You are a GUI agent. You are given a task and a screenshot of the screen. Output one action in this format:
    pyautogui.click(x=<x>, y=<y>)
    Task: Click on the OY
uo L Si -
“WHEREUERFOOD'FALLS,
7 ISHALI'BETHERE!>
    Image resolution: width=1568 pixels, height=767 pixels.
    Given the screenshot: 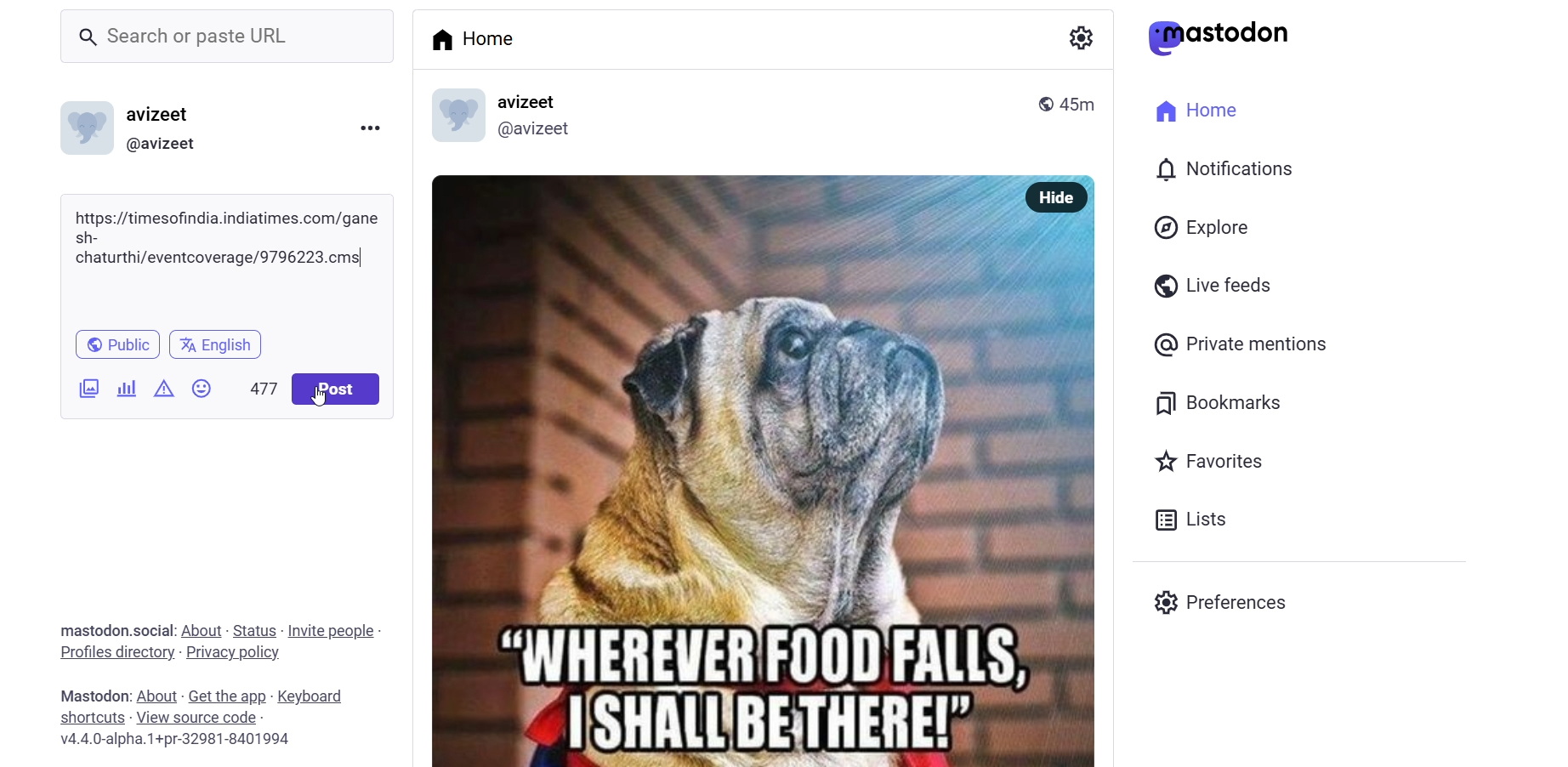 What is the action you would take?
    pyautogui.click(x=769, y=486)
    